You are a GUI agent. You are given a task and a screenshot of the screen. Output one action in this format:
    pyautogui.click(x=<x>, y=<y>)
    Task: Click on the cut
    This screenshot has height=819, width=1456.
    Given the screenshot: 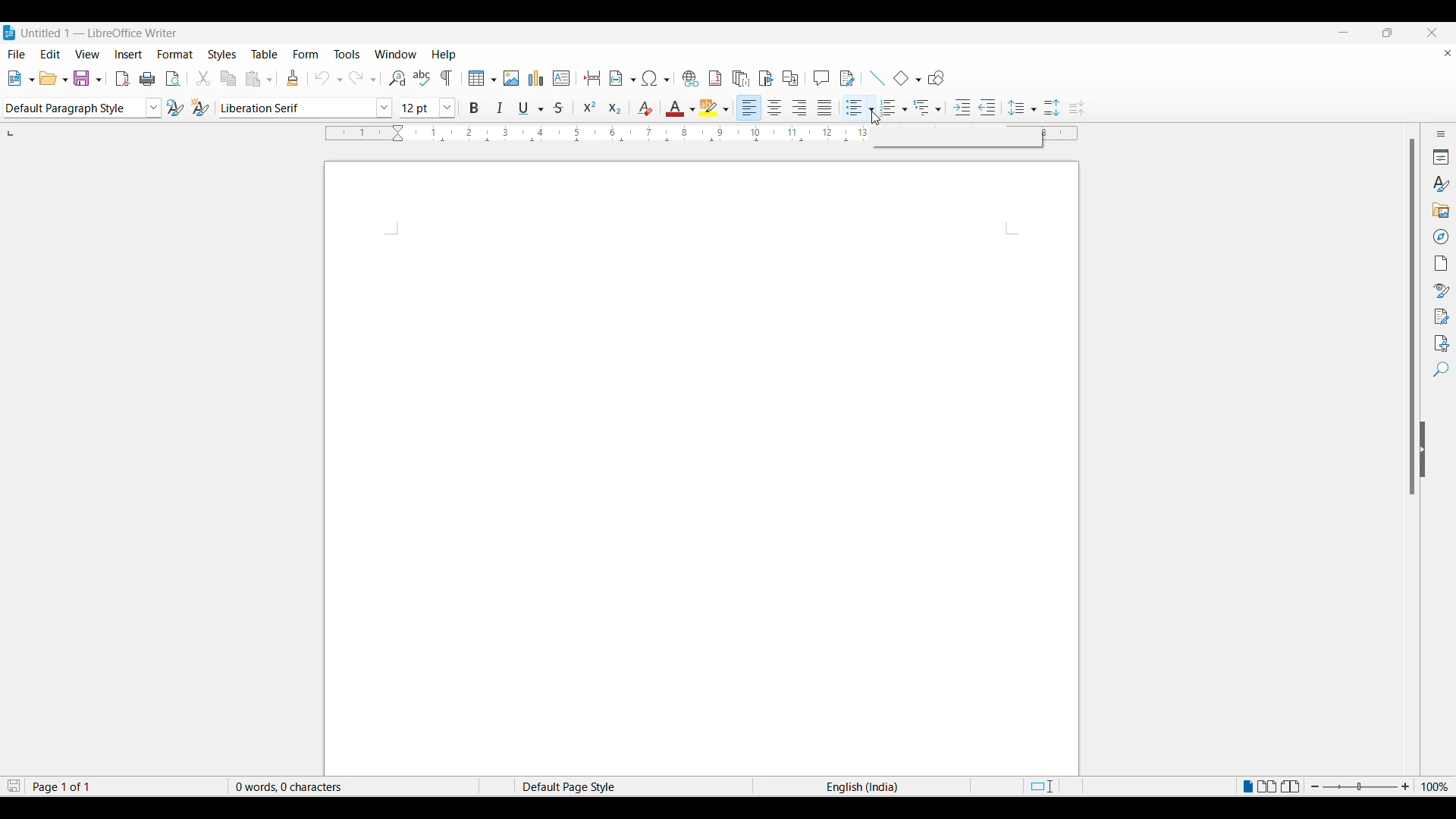 What is the action you would take?
    pyautogui.click(x=203, y=77)
    